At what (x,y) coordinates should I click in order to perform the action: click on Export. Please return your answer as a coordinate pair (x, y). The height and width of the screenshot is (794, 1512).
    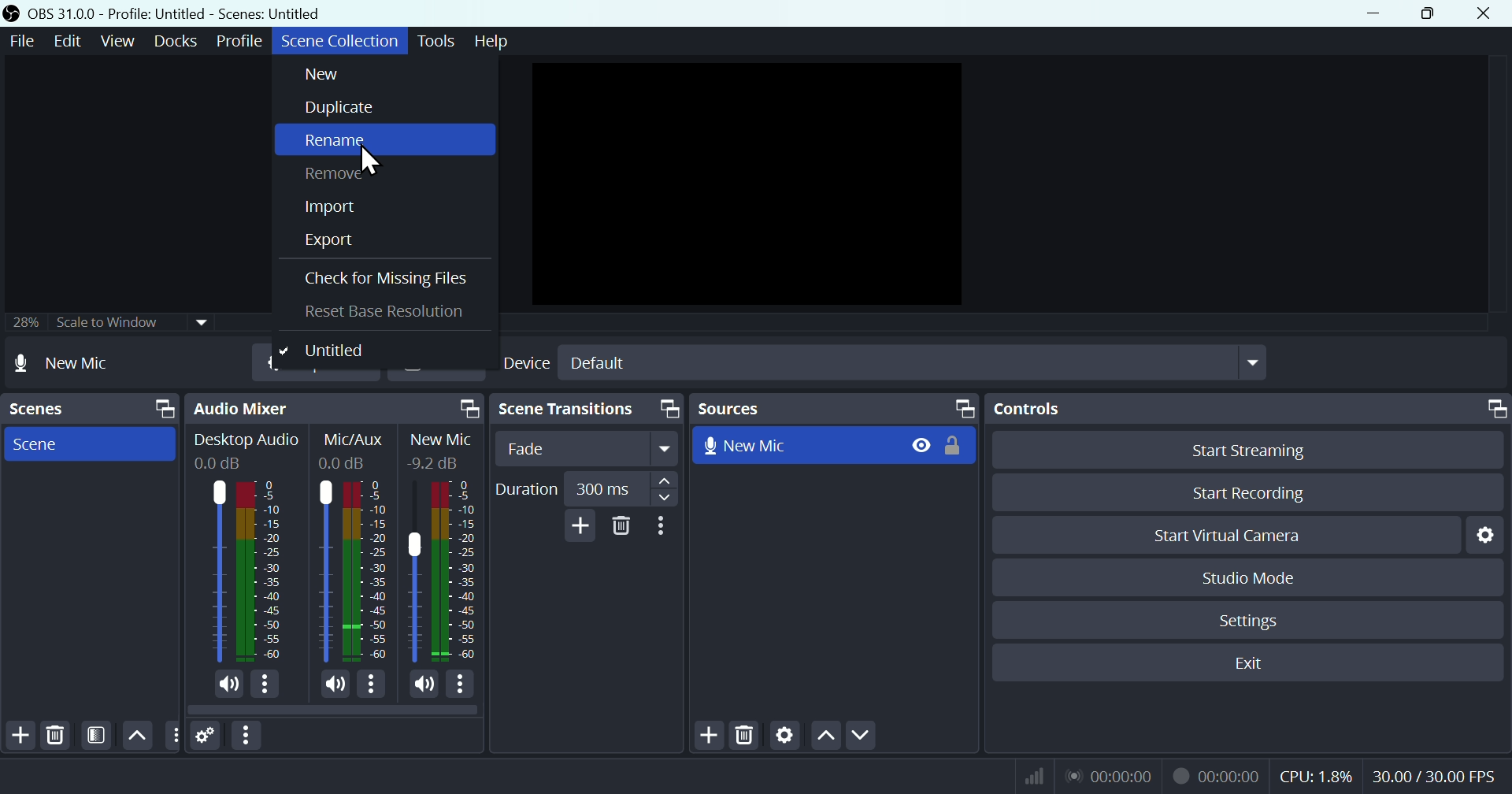
    Looking at the image, I should click on (329, 242).